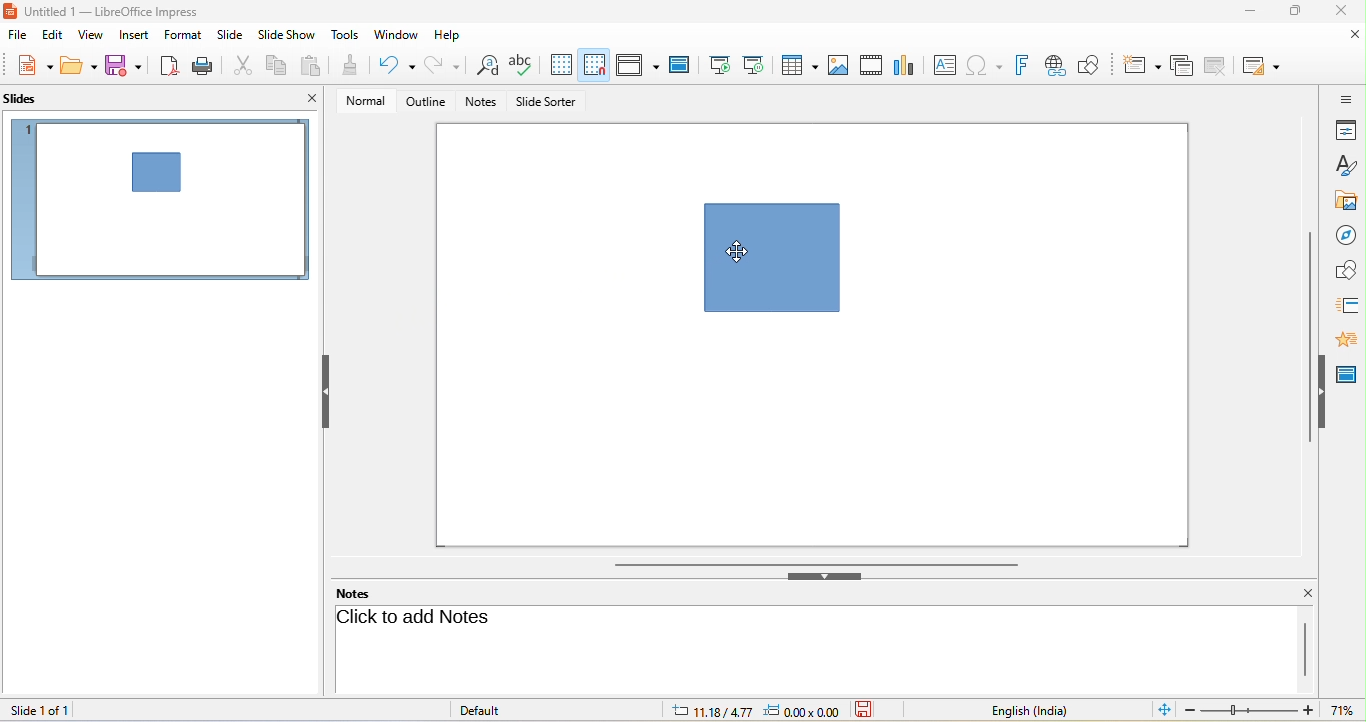  I want to click on start from current slide, so click(756, 67).